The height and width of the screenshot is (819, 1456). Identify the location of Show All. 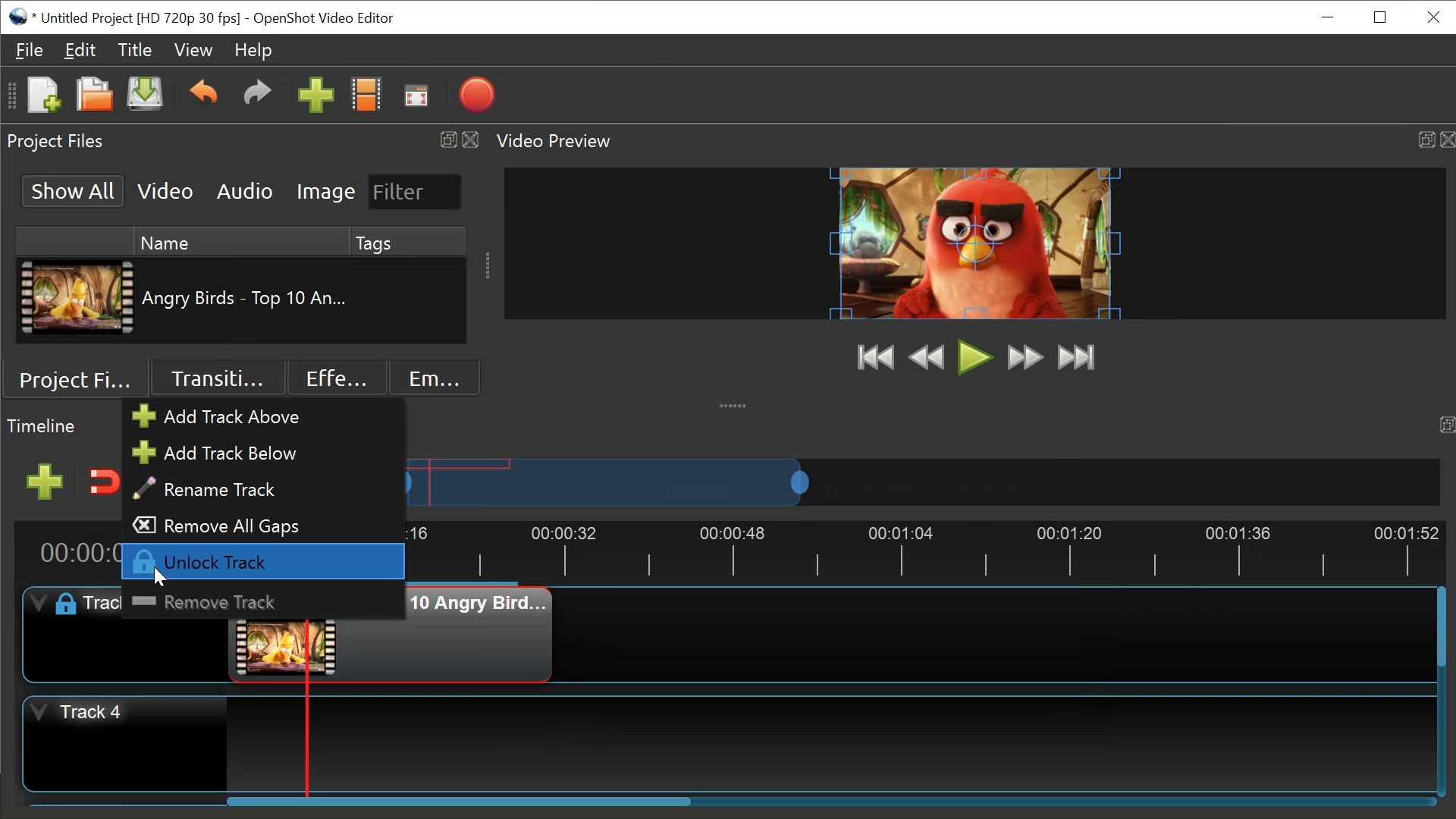
(71, 191).